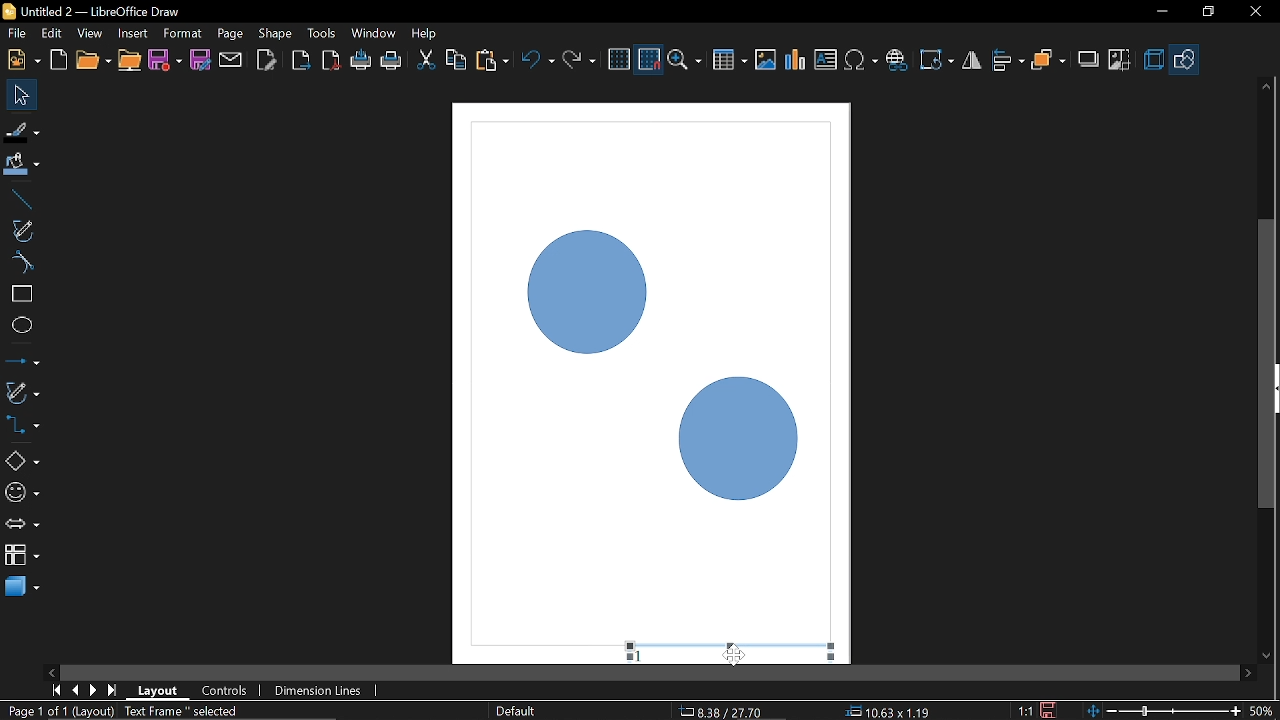 The width and height of the screenshot is (1280, 720). I want to click on Insert hyperlink, so click(897, 60).